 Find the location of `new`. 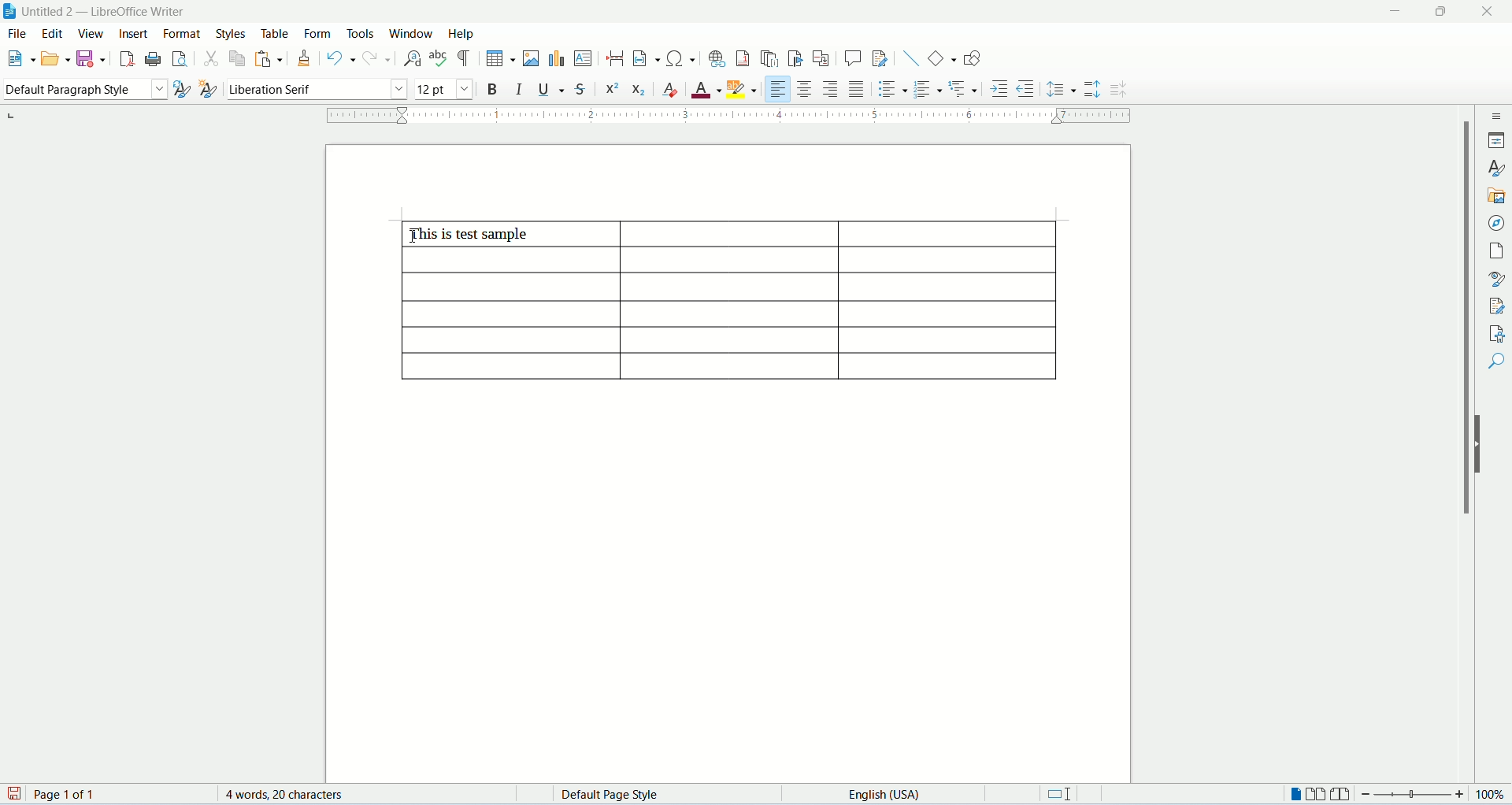

new is located at coordinates (19, 57).